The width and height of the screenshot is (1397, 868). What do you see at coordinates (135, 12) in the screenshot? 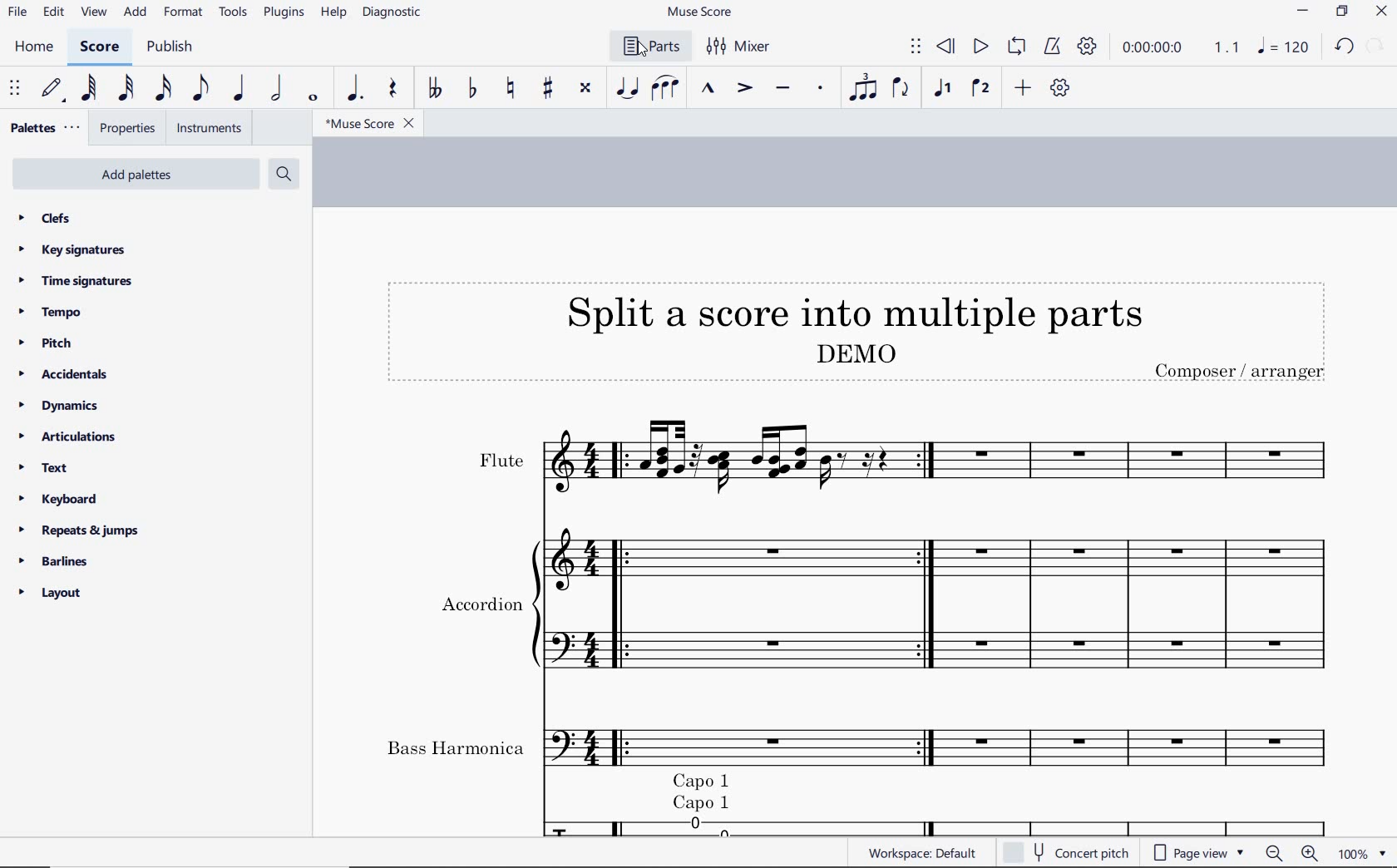
I see `add` at bounding box center [135, 12].